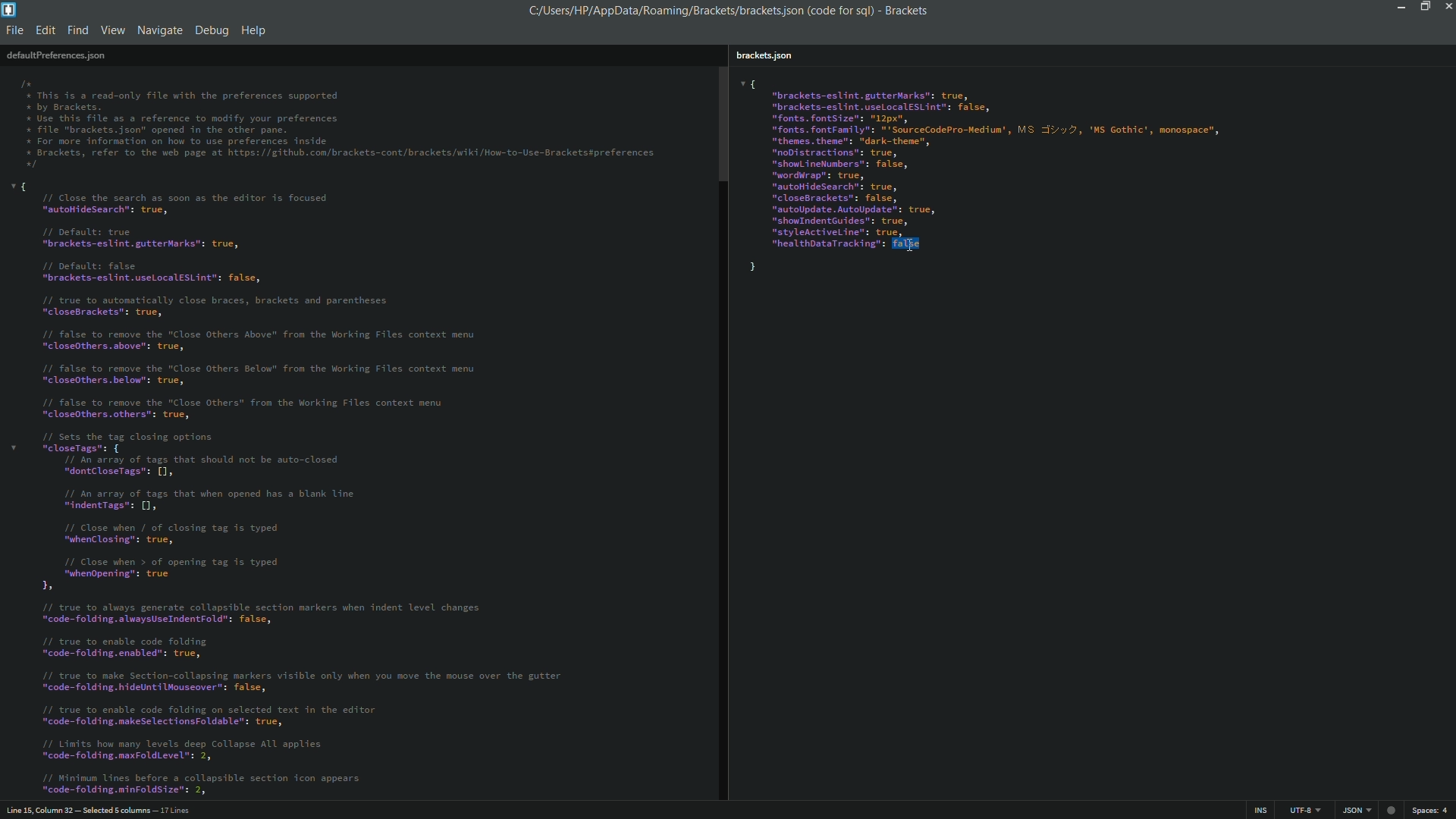 This screenshot has width=1456, height=819. Describe the element at coordinates (1302, 811) in the screenshot. I see `File encoding` at that location.